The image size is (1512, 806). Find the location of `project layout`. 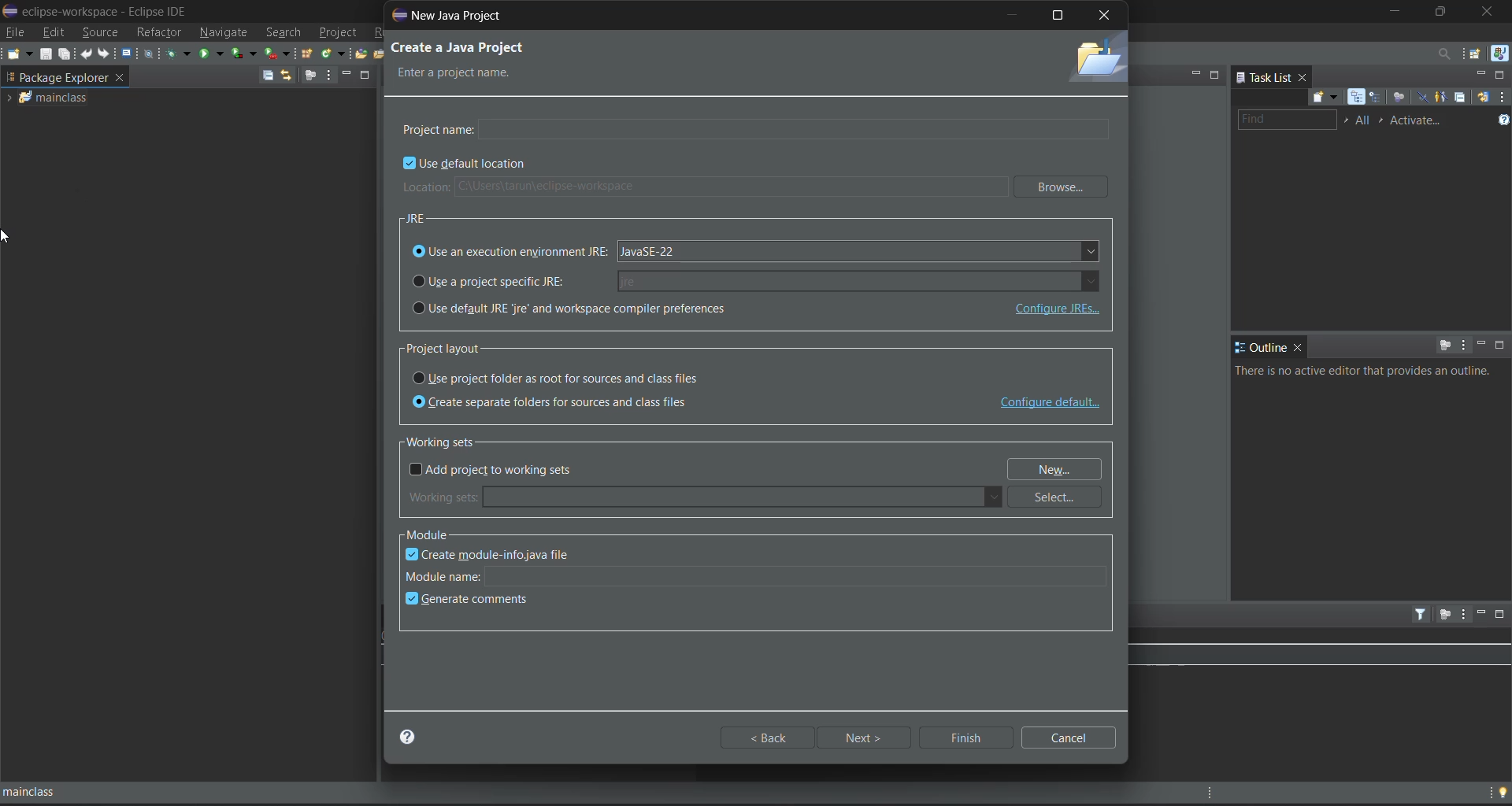

project layout is located at coordinates (456, 349).